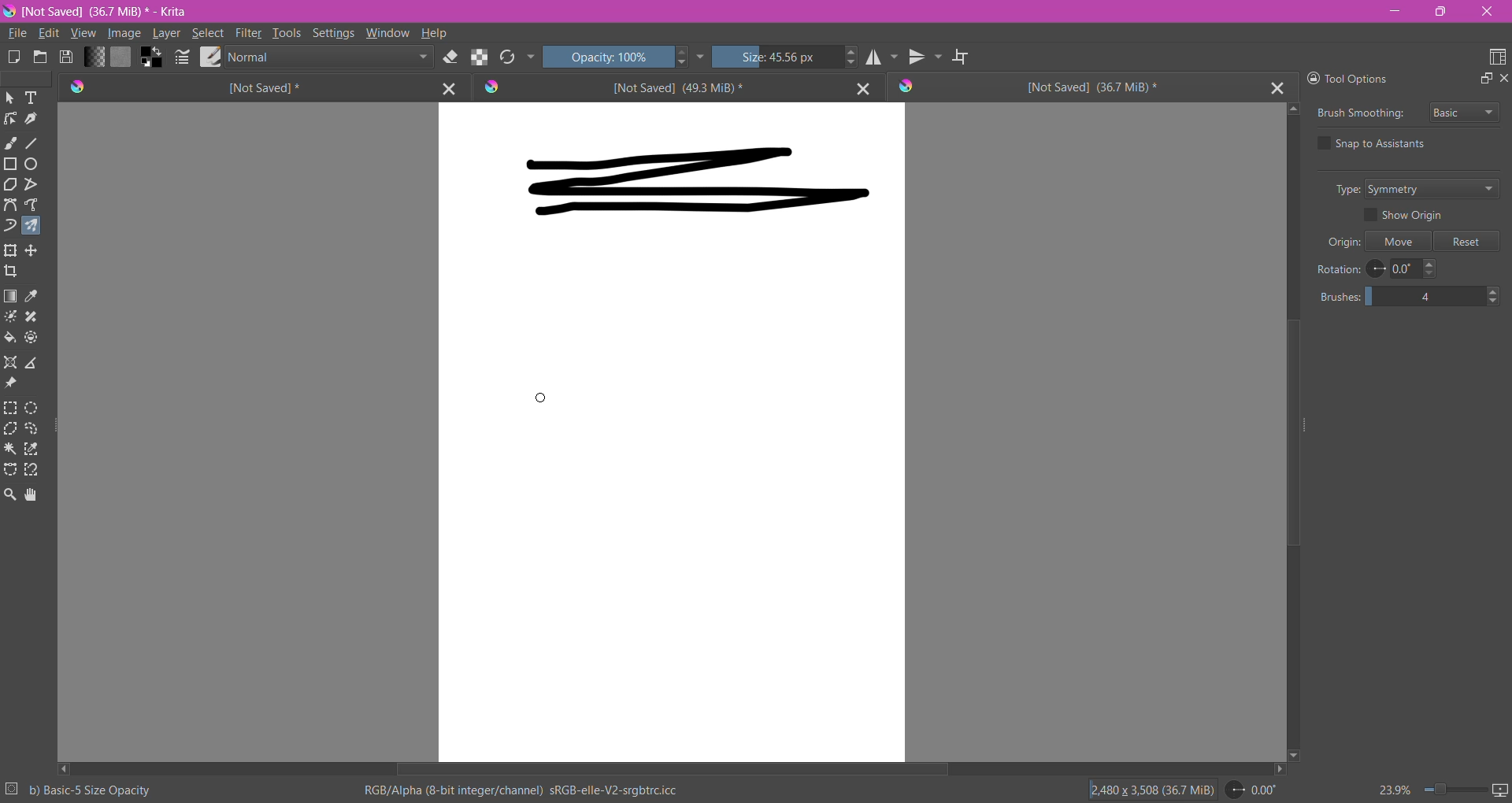 The height and width of the screenshot is (803, 1512). Describe the element at coordinates (31, 184) in the screenshot. I see `Polyline Tool` at that location.